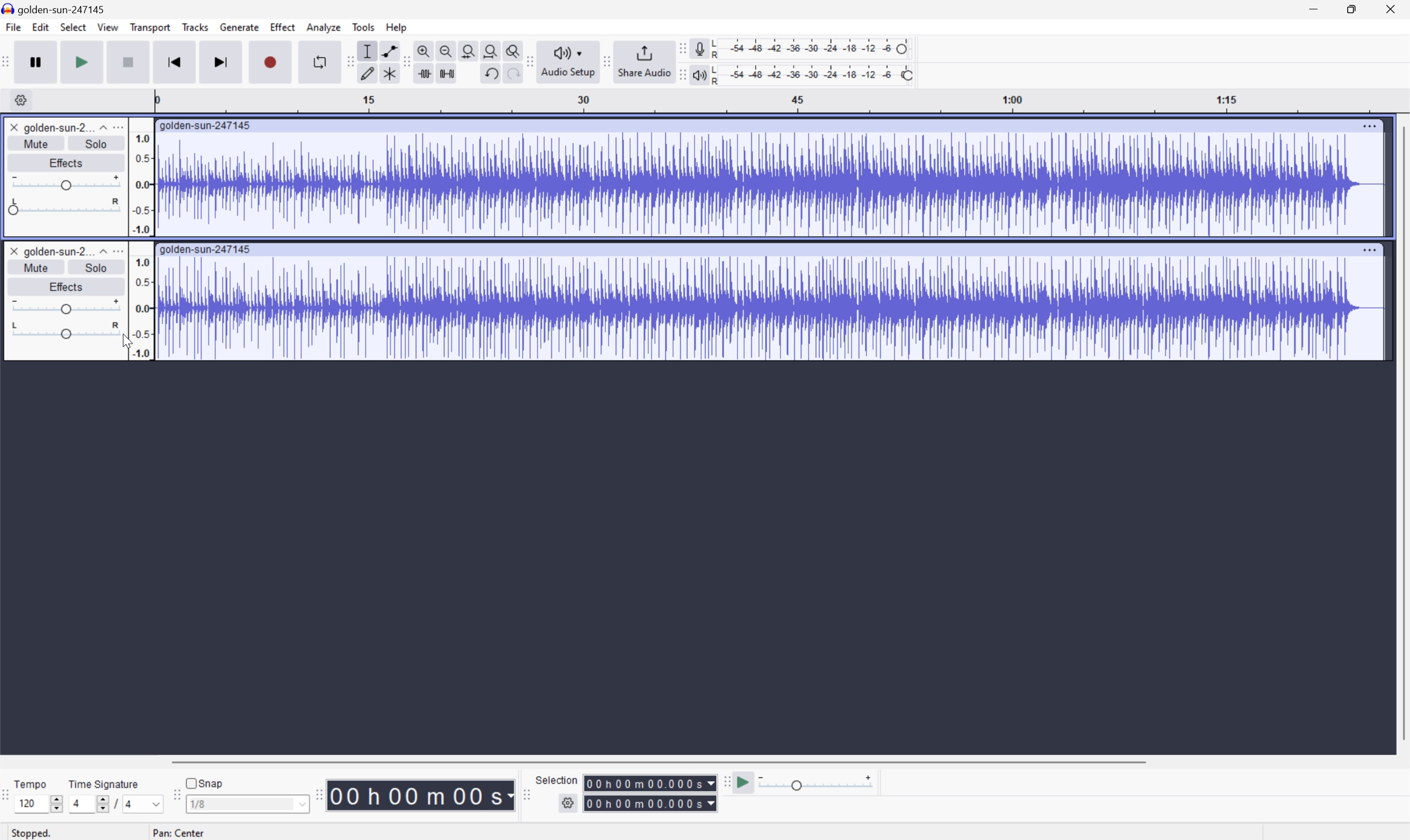 Image resolution: width=1410 pixels, height=840 pixels. What do you see at coordinates (179, 832) in the screenshot?
I see `Pan center` at bounding box center [179, 832].